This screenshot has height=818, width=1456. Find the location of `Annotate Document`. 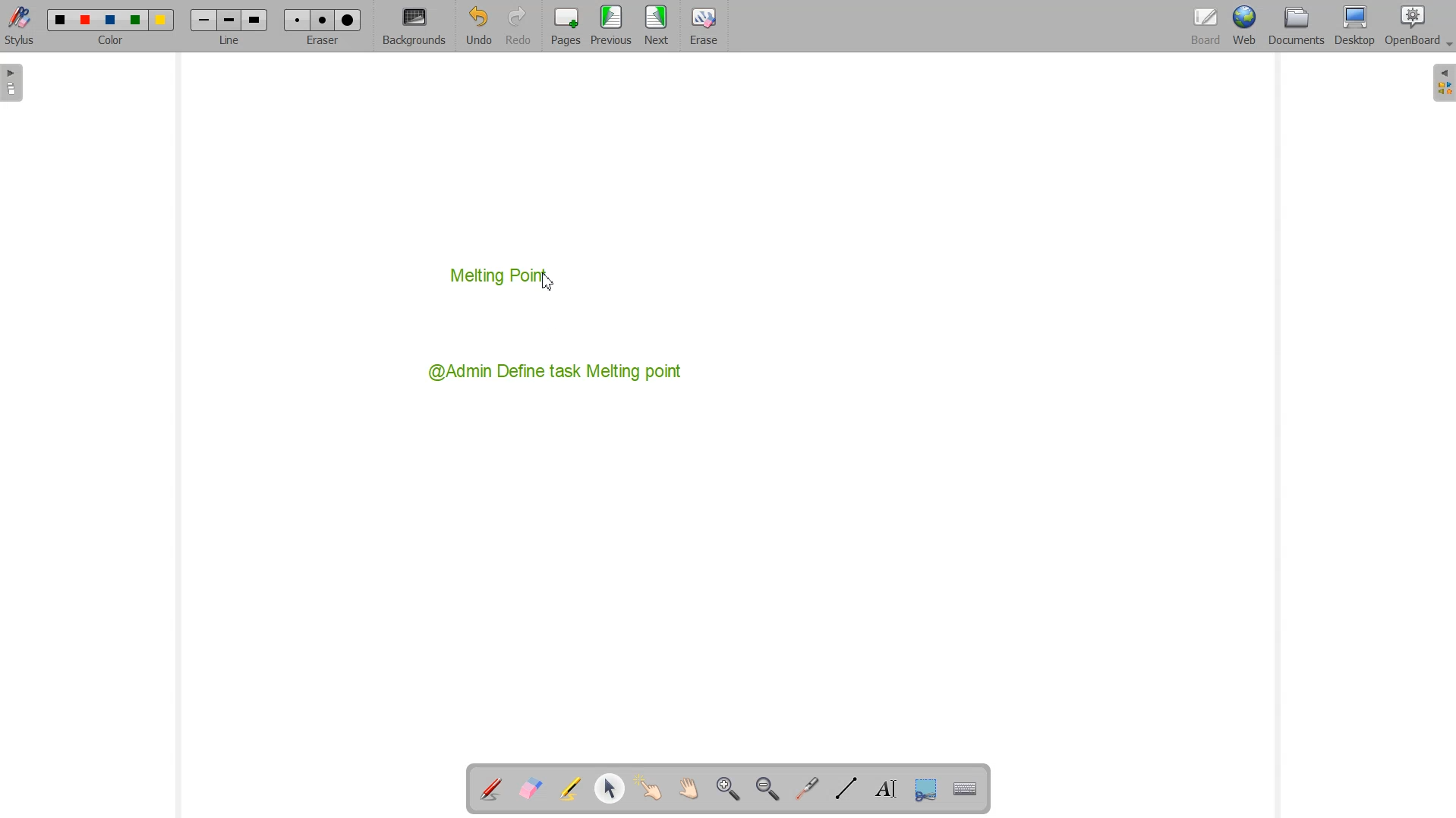

Annotate Document is located at coordinates (490, 789).